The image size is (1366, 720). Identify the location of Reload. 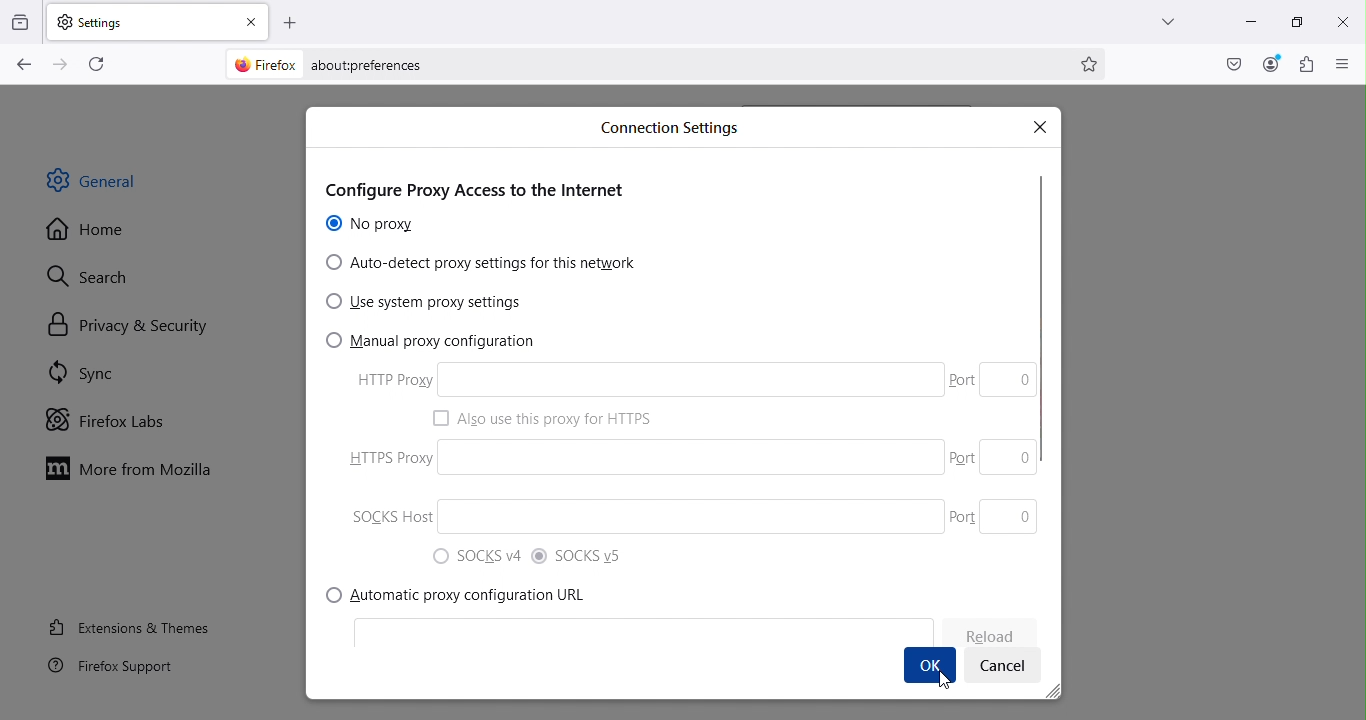
(984, 635).